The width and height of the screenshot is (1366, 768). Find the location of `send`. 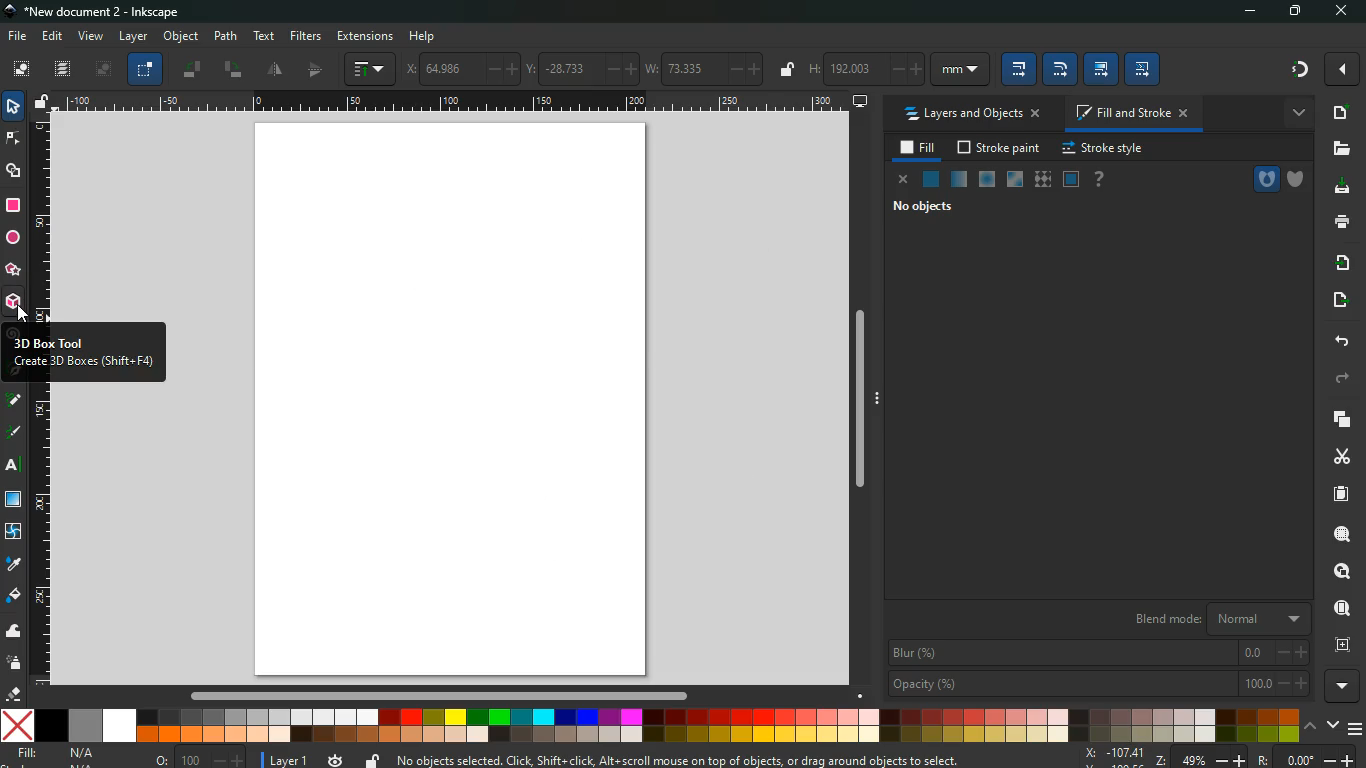

send is located at coordinates (1335, 301).